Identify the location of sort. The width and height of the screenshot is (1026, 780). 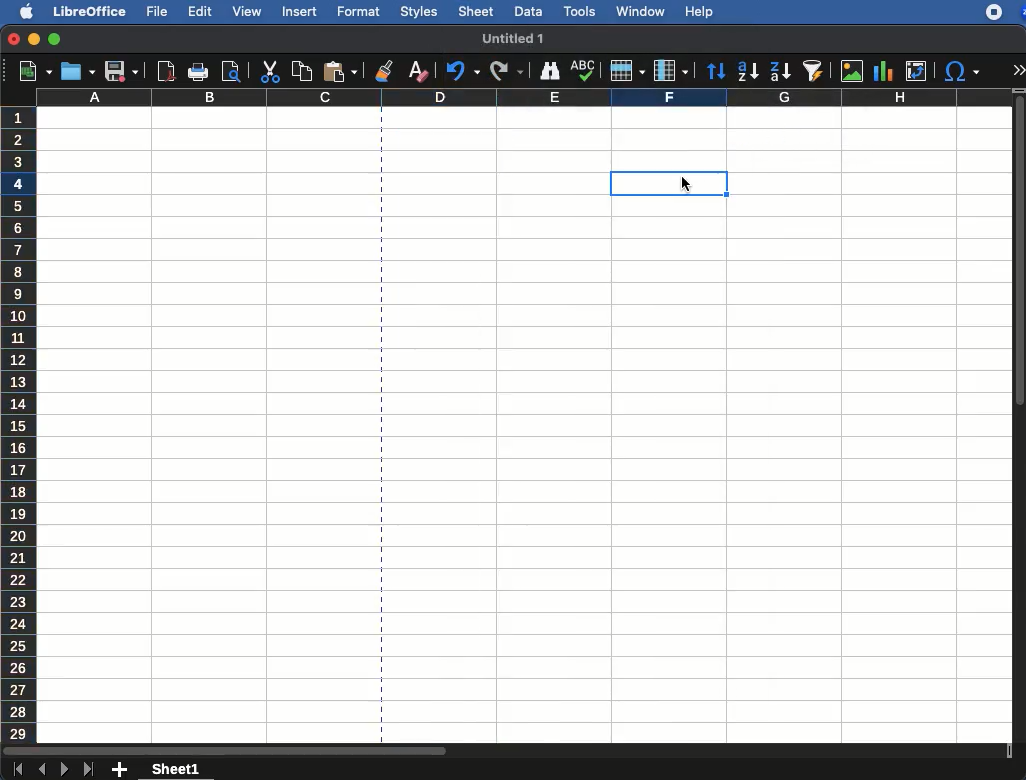
(716, 71).